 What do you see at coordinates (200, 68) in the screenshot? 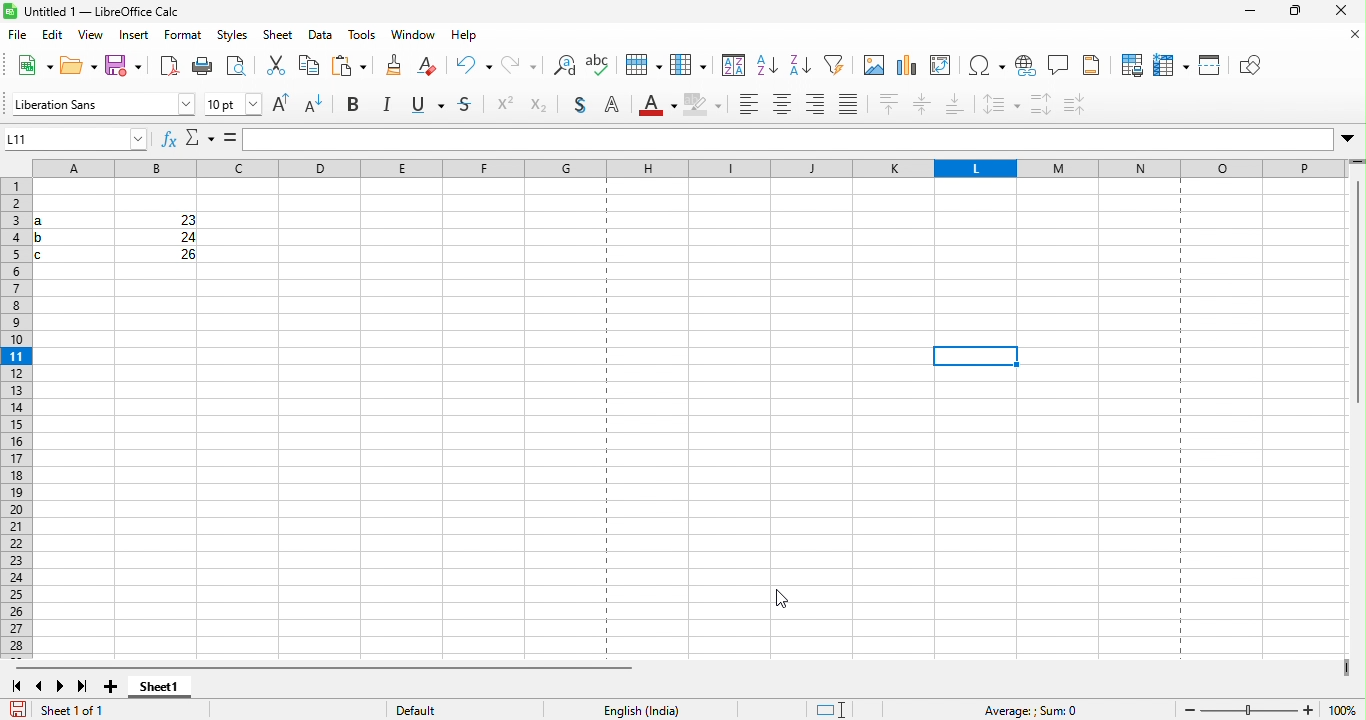
I see `print` at bounding box center [200, 68].